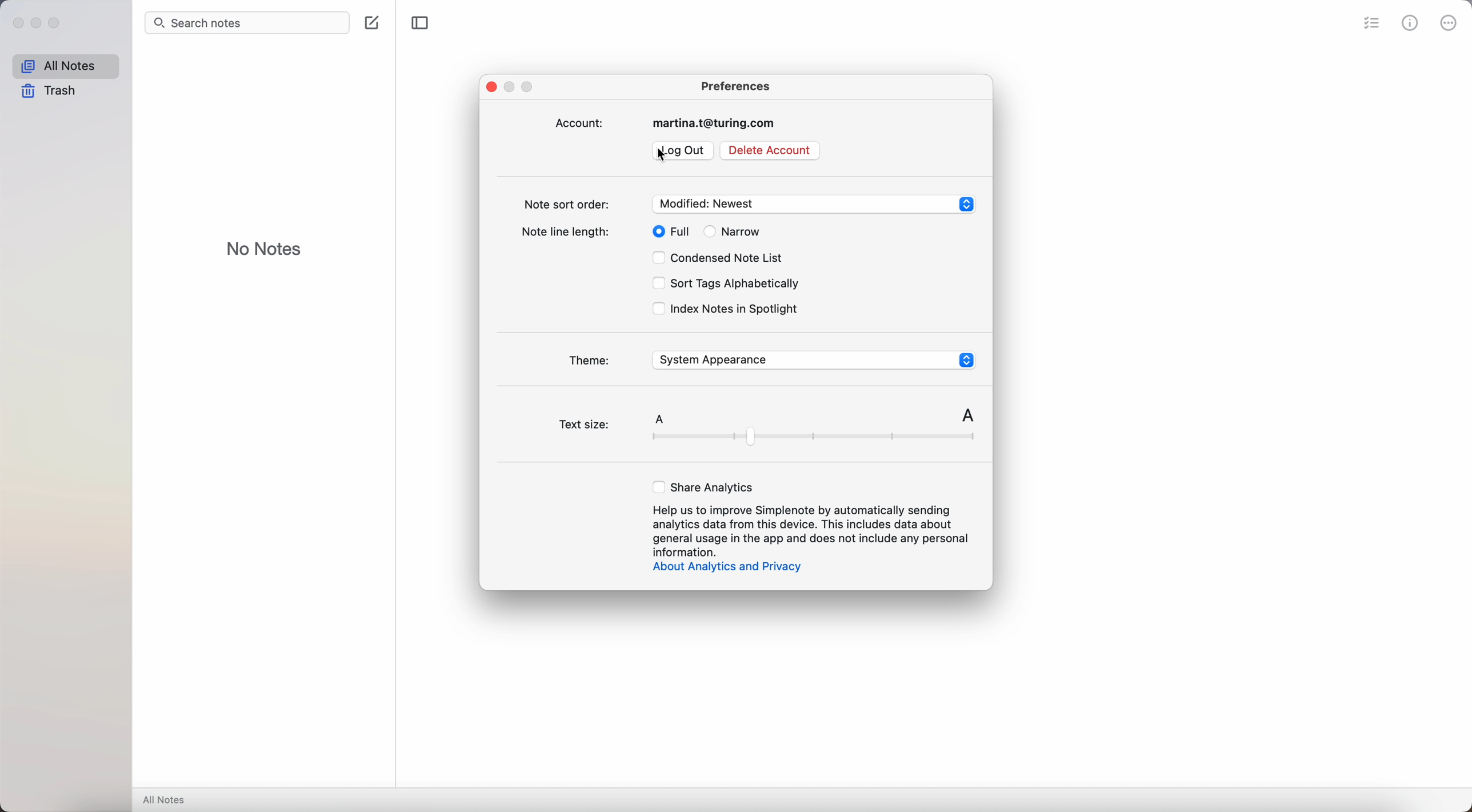 The width and height of the screenshot is (1472, 812). Describe the element at coordinates (167, 801) in the screenshot. I see `all notes` at that location.